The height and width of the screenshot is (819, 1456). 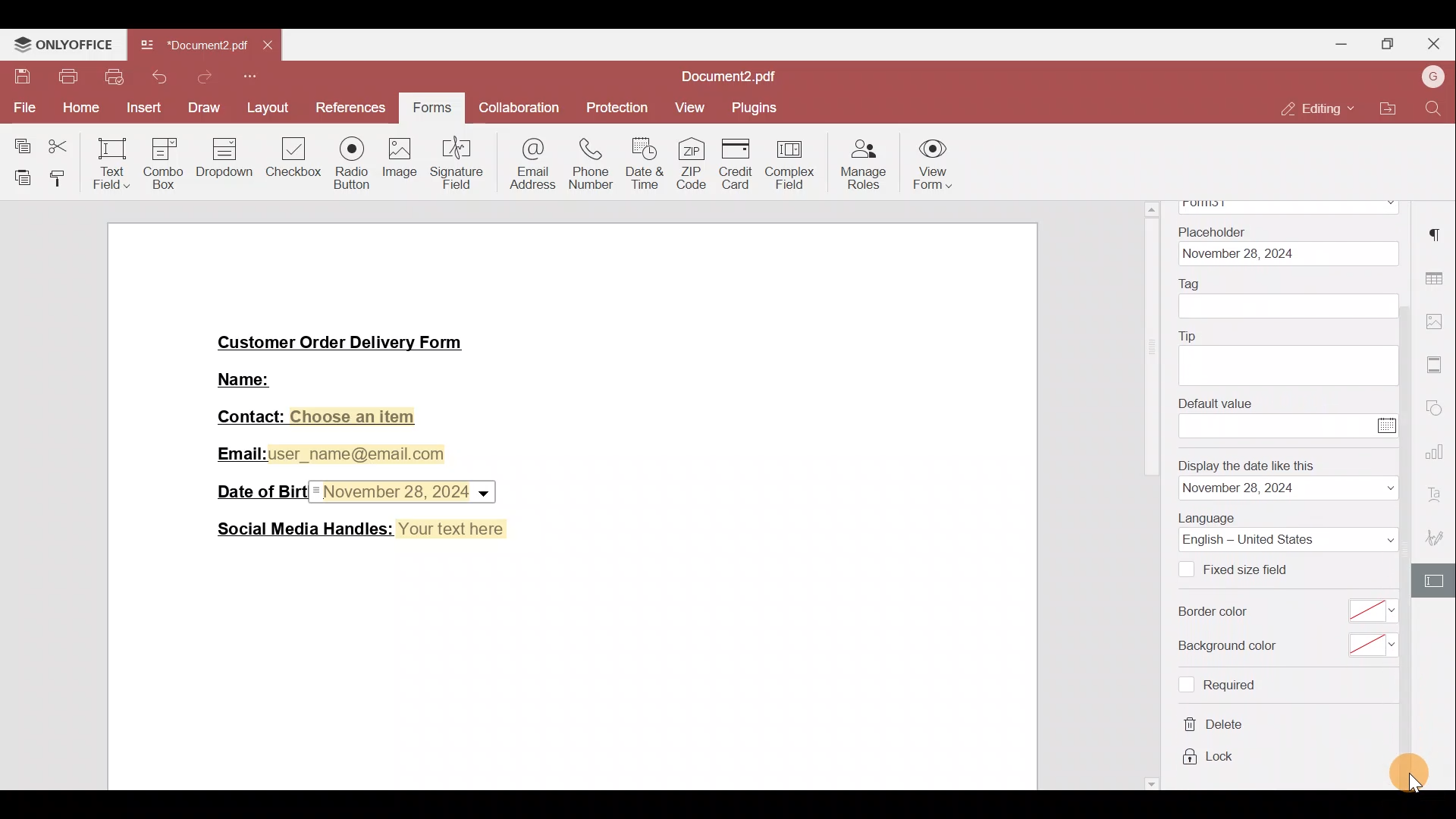 What do you see at coordinates (791, 165) in the screenshot?
I see `Complex field` at bounding box center [791, 165].